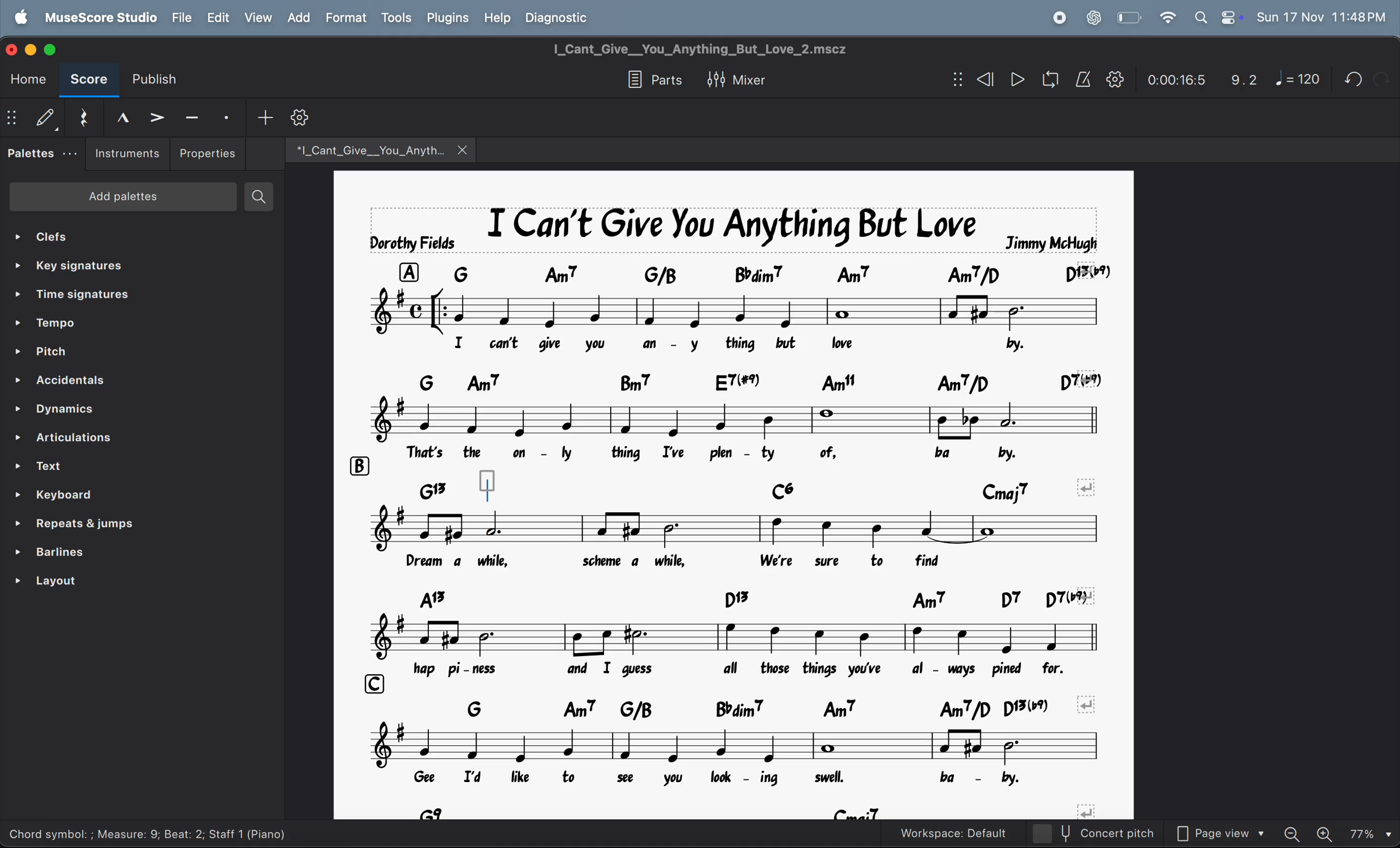 The image size is (1400, 848). I want to click on b row, so click(356, 465).